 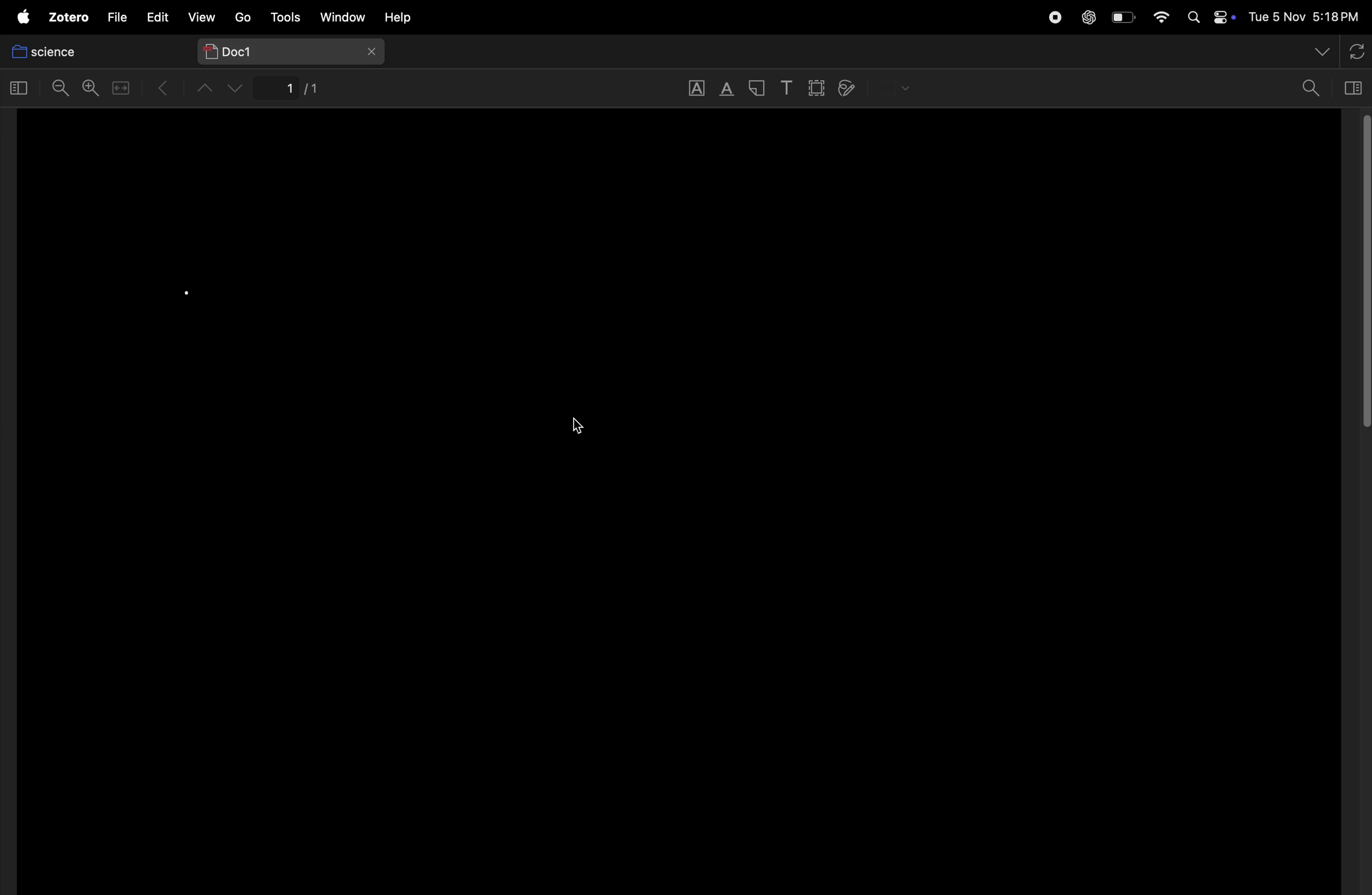 What do you see at coordinates (1355, 50) in the screenshot?
I see `sunc` at bounding box center [1355, 50].